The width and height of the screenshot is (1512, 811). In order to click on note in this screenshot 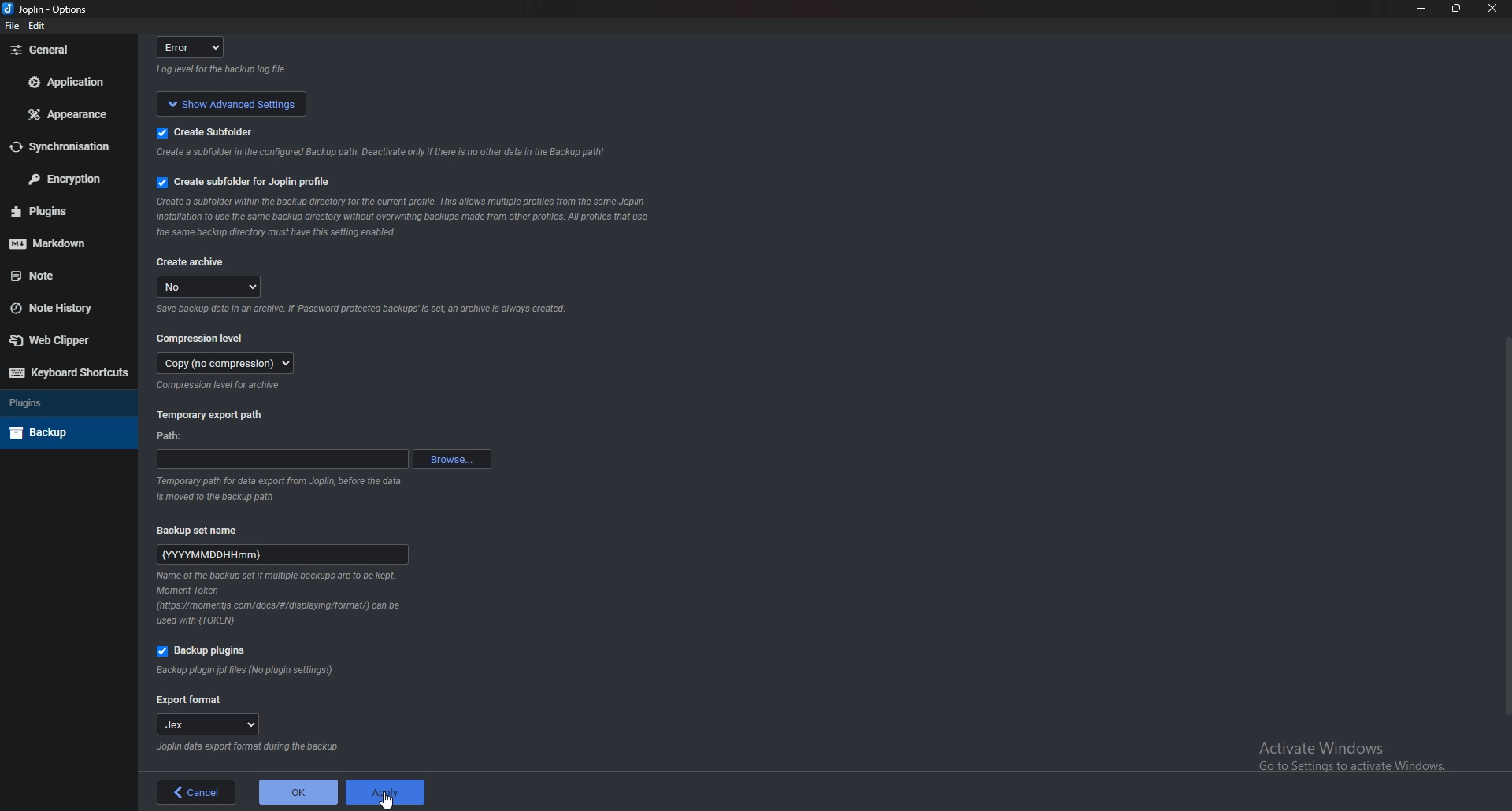, I will do `click(65, 275)`.